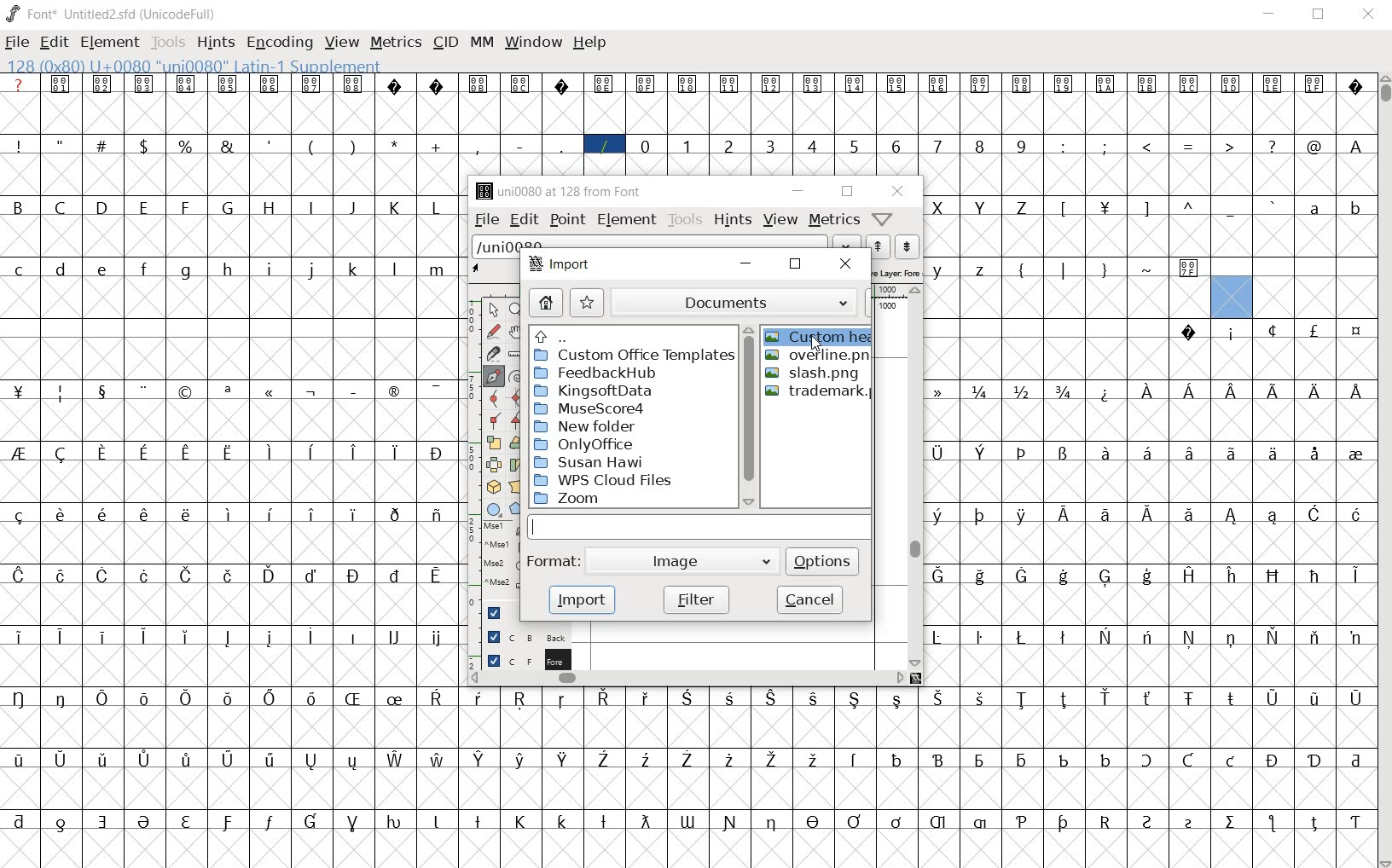 The width and height of the screenshot is (1392, 868). I want to click on element, so click(626, 220).